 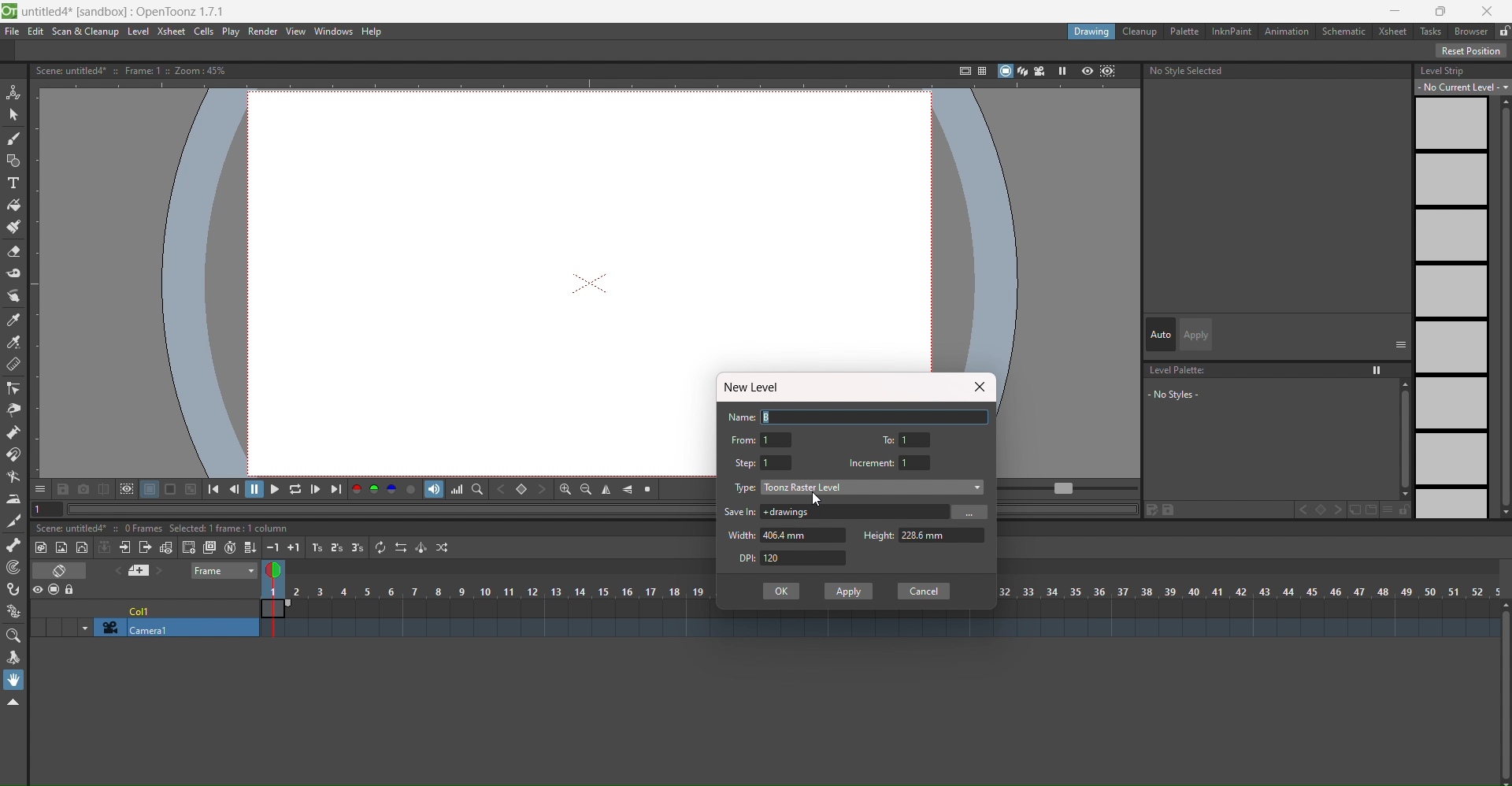 I want to click on add new memo, so click(x=143, y=570).